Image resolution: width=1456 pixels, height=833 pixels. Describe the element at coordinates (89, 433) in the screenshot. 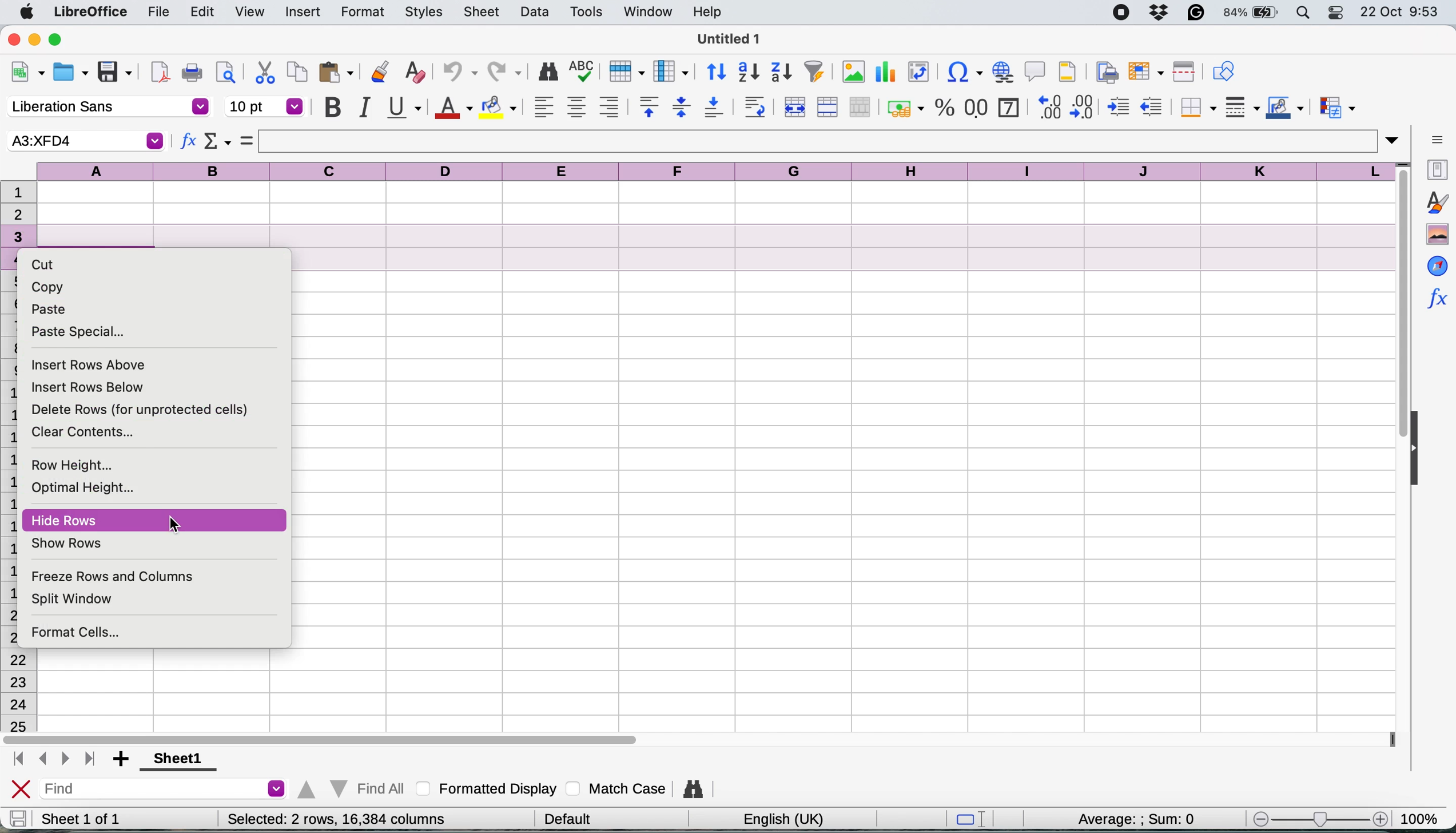

I see `clear contents` at that location.